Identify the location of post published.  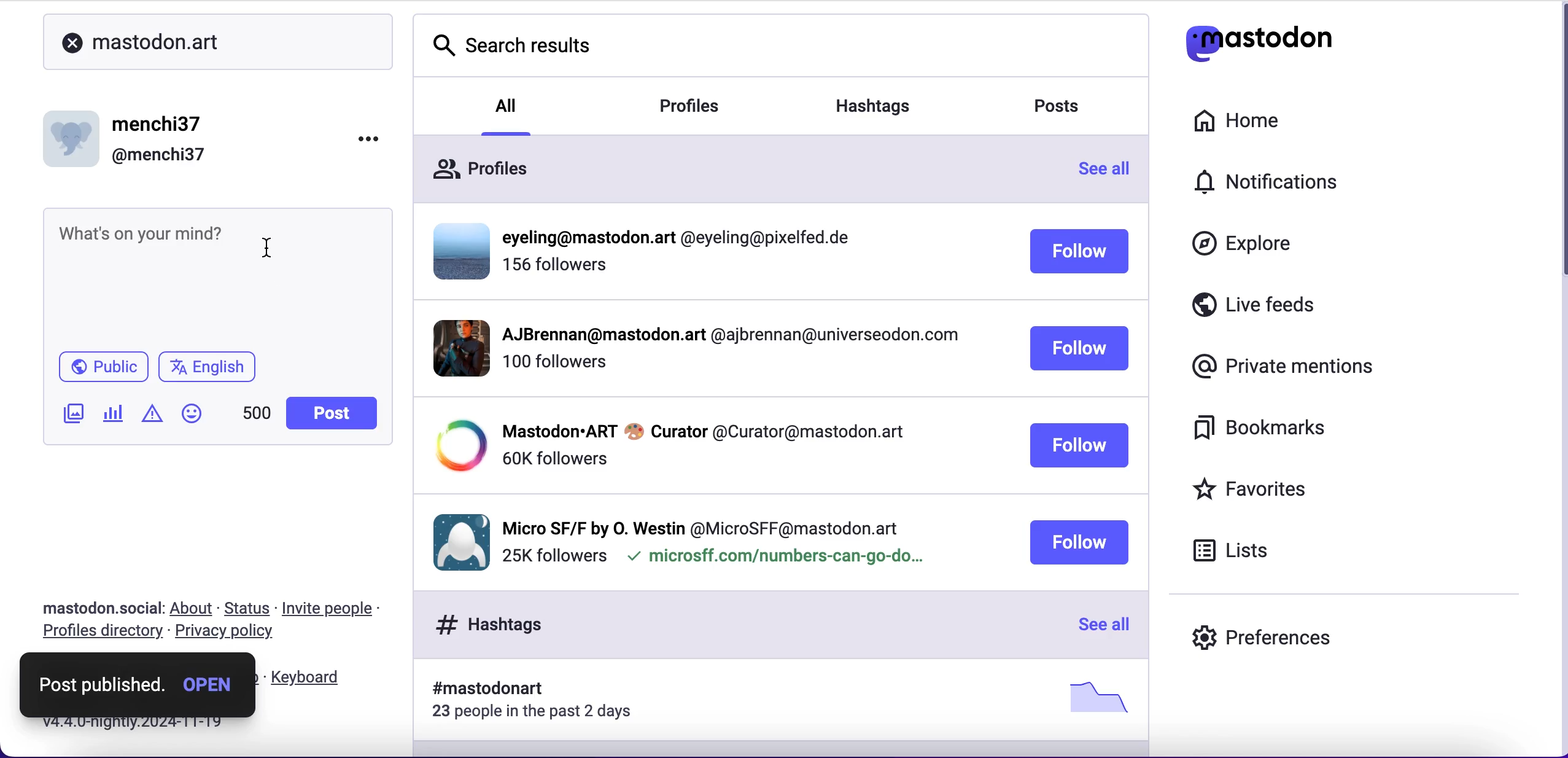
(105, 679).